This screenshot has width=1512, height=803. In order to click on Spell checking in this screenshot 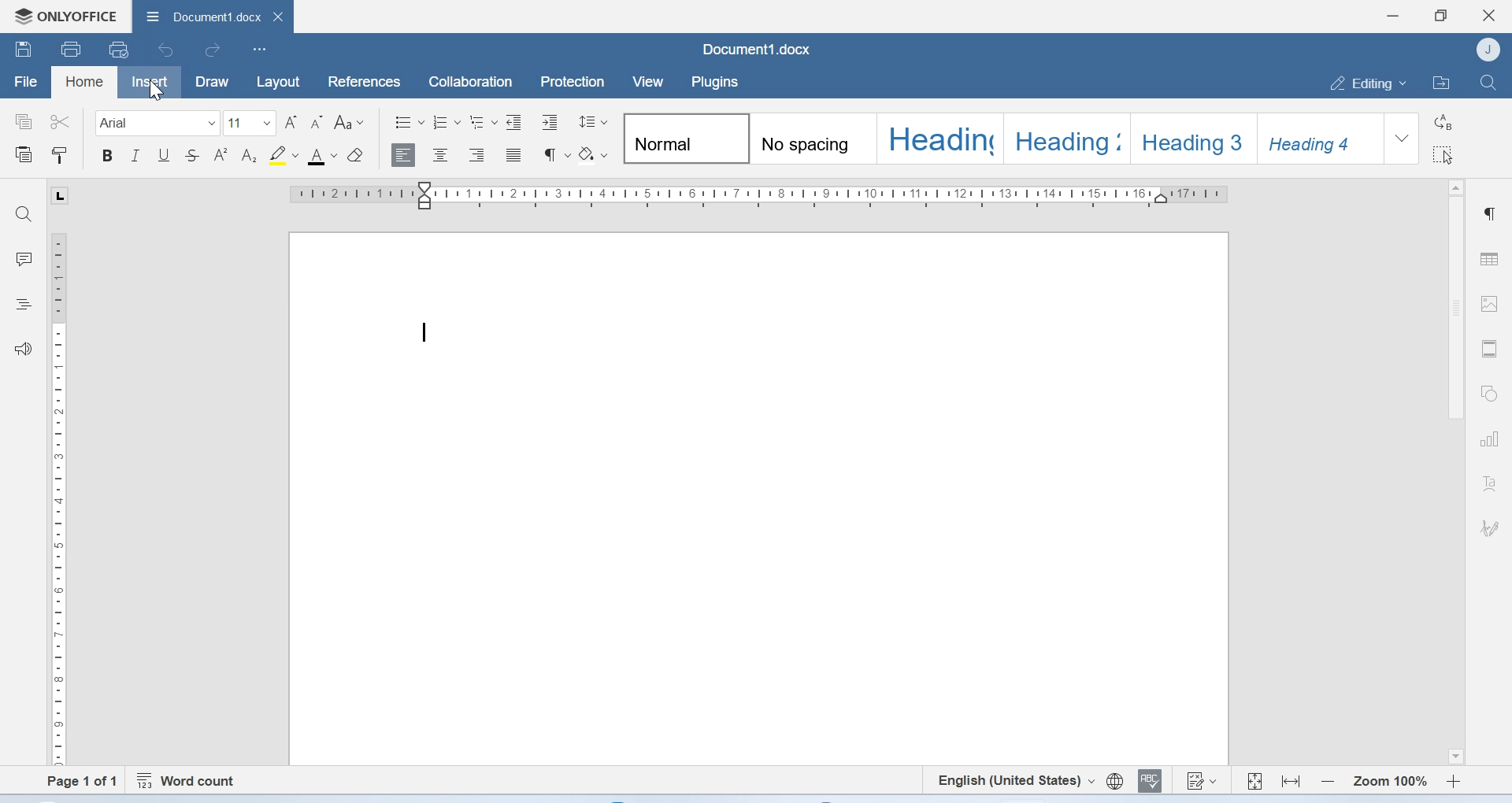, I will do `click(1152, 782)`.